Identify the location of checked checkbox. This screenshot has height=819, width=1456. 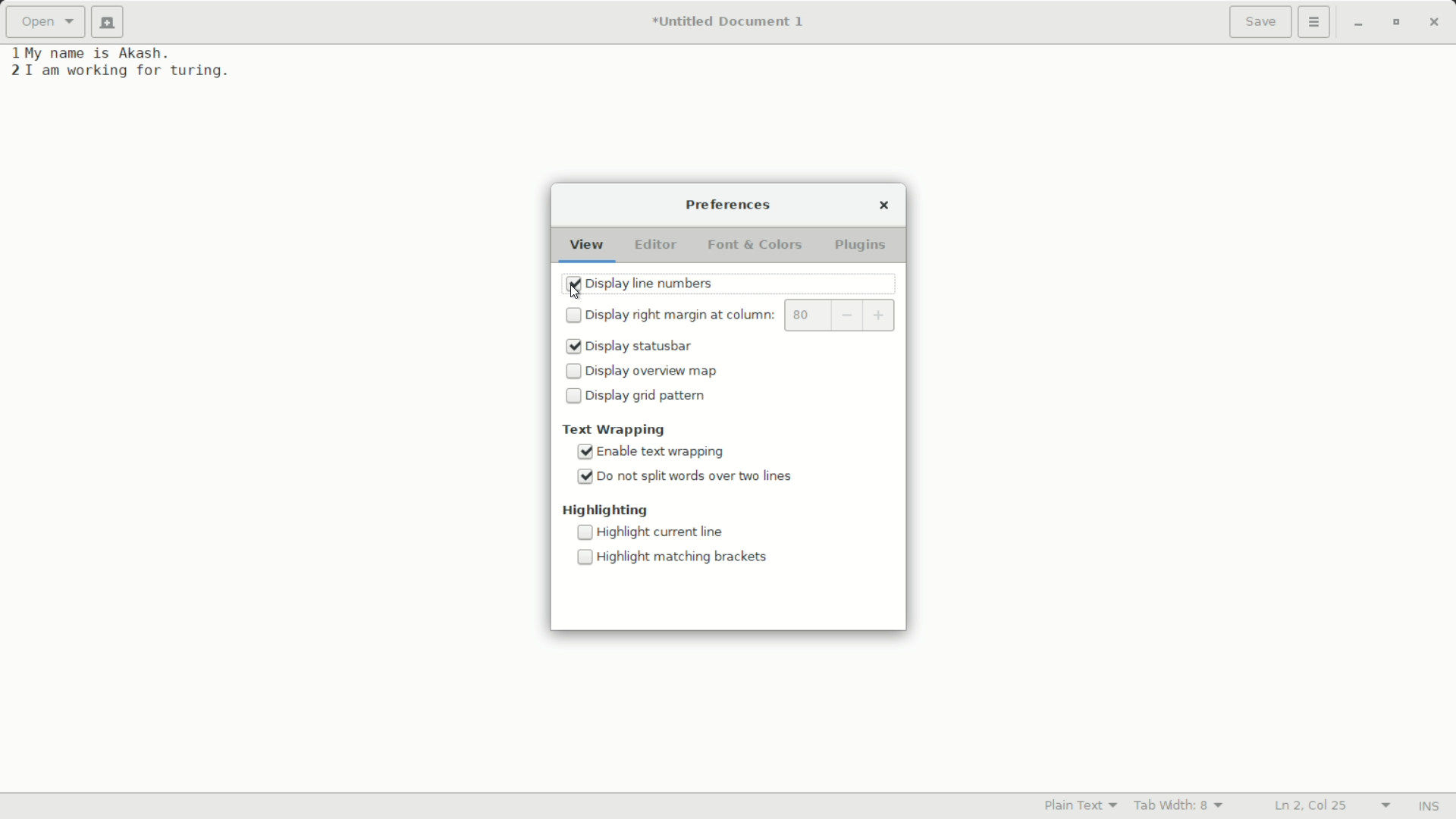
(573, 284).